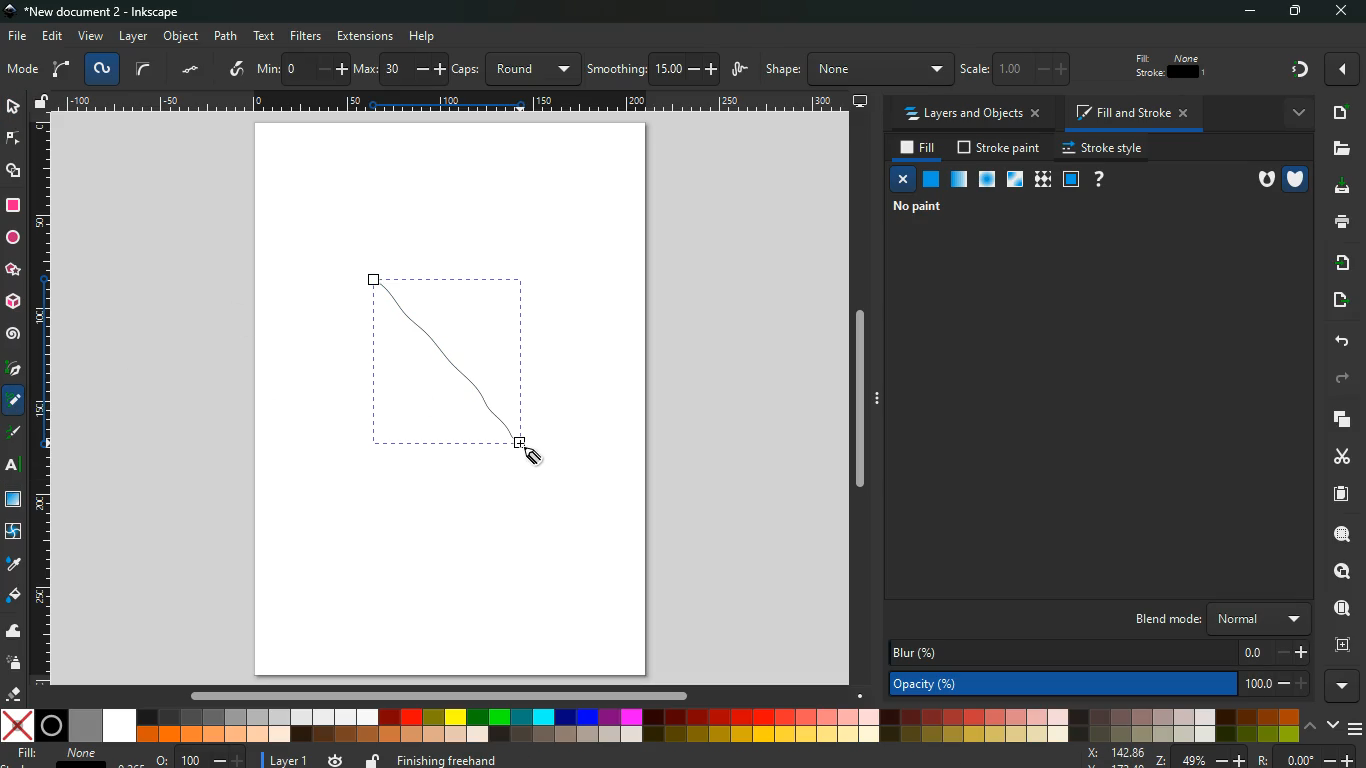 The height and width of the screenshot is (768, 1366). Describe the element at coordinates (144, 71) in the screenshot. I see `curve` at that location.